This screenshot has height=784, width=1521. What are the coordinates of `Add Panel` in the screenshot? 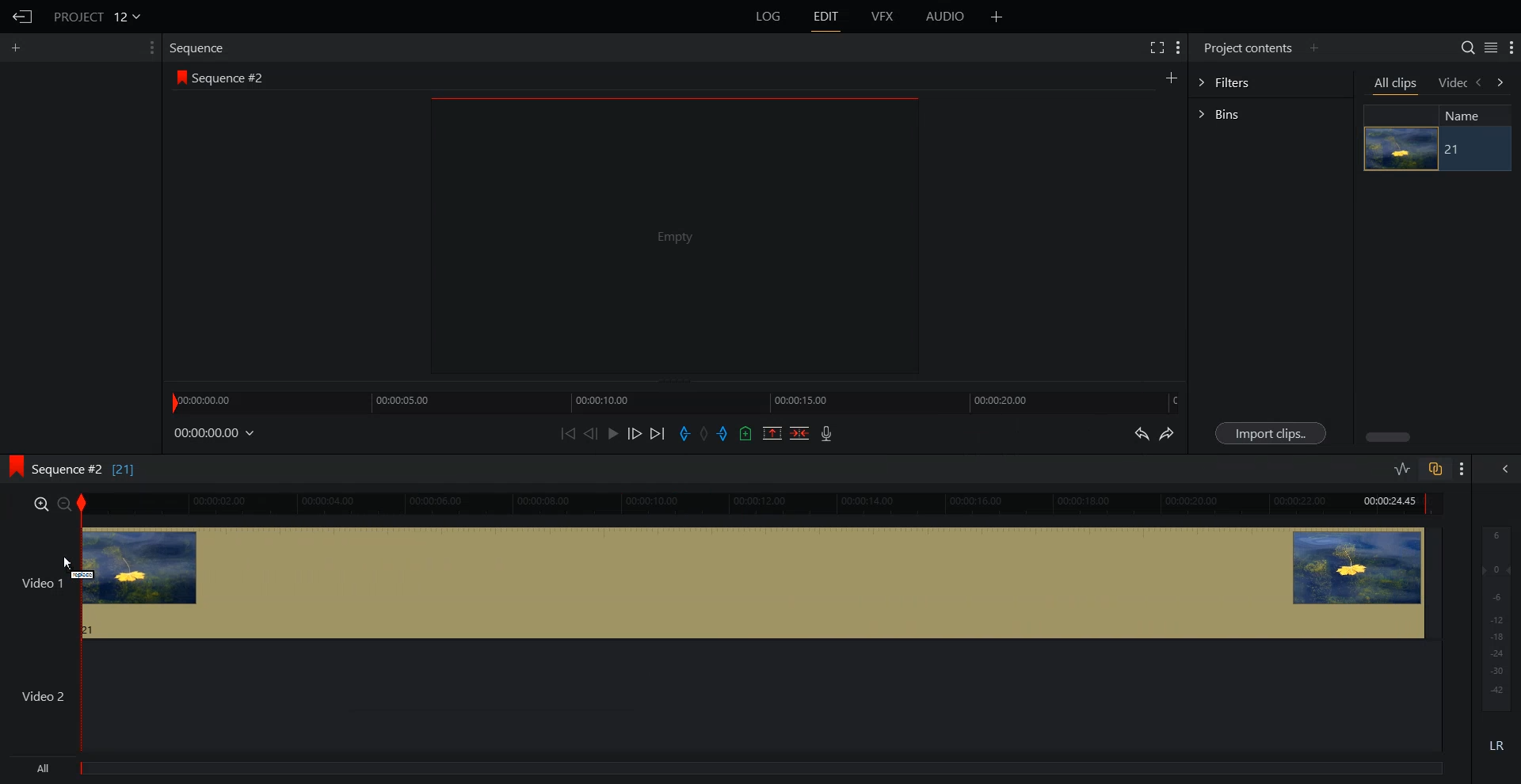 It's located at (19, 47).